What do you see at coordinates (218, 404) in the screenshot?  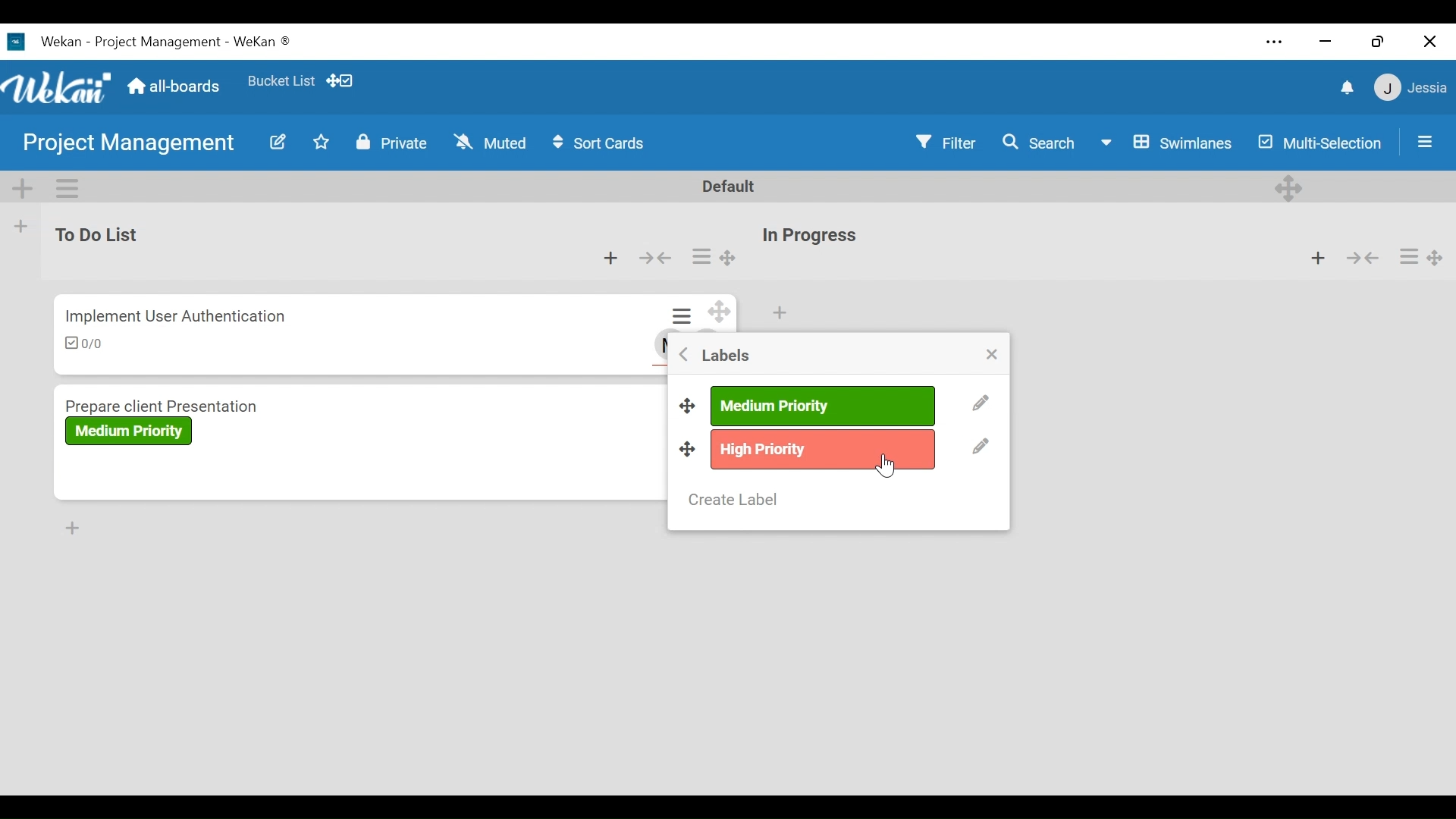 I see `Card Title` at bounding box center [218, 404].